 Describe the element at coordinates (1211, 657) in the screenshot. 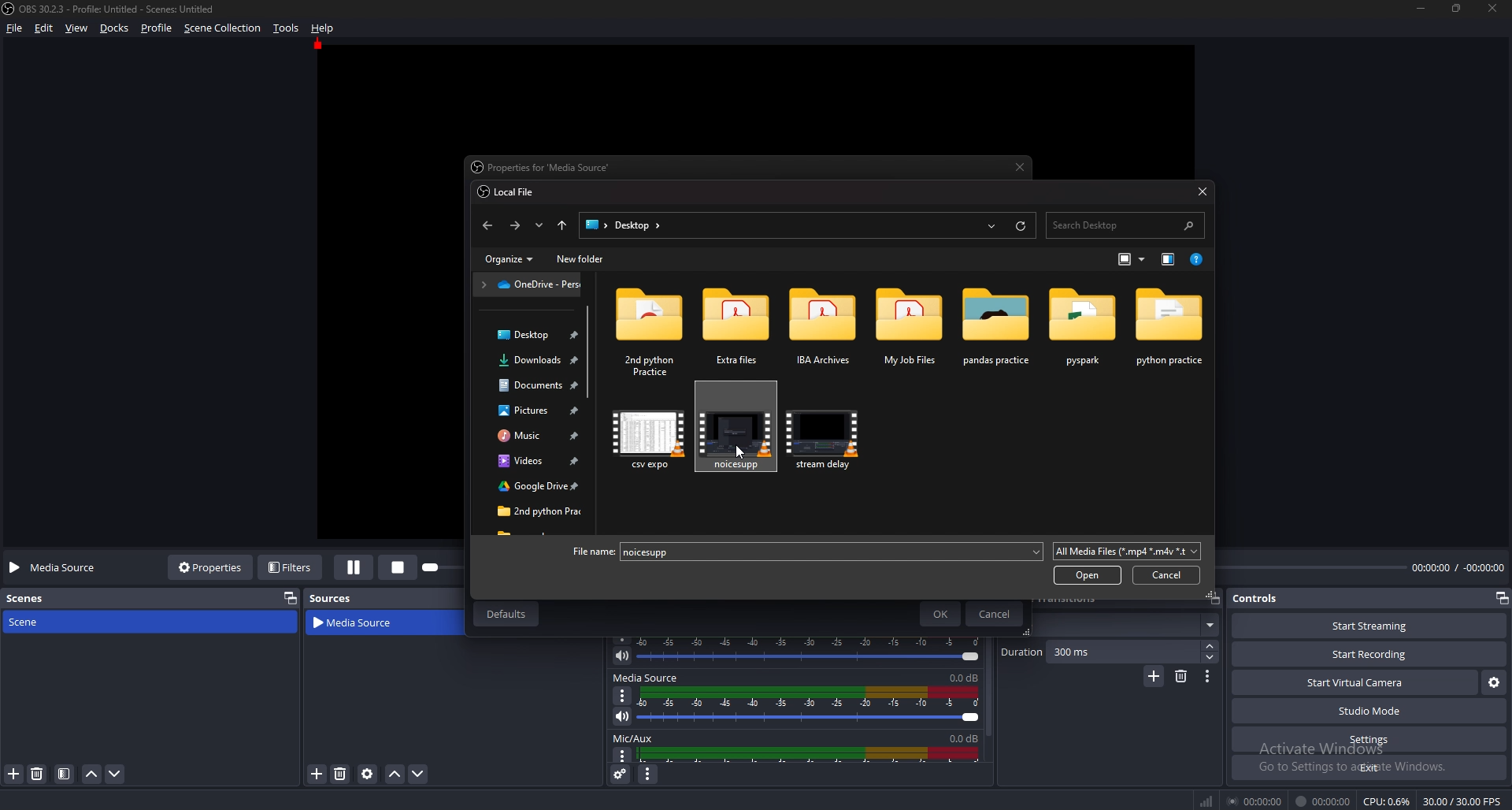

I see `Decrease duration` at that location.